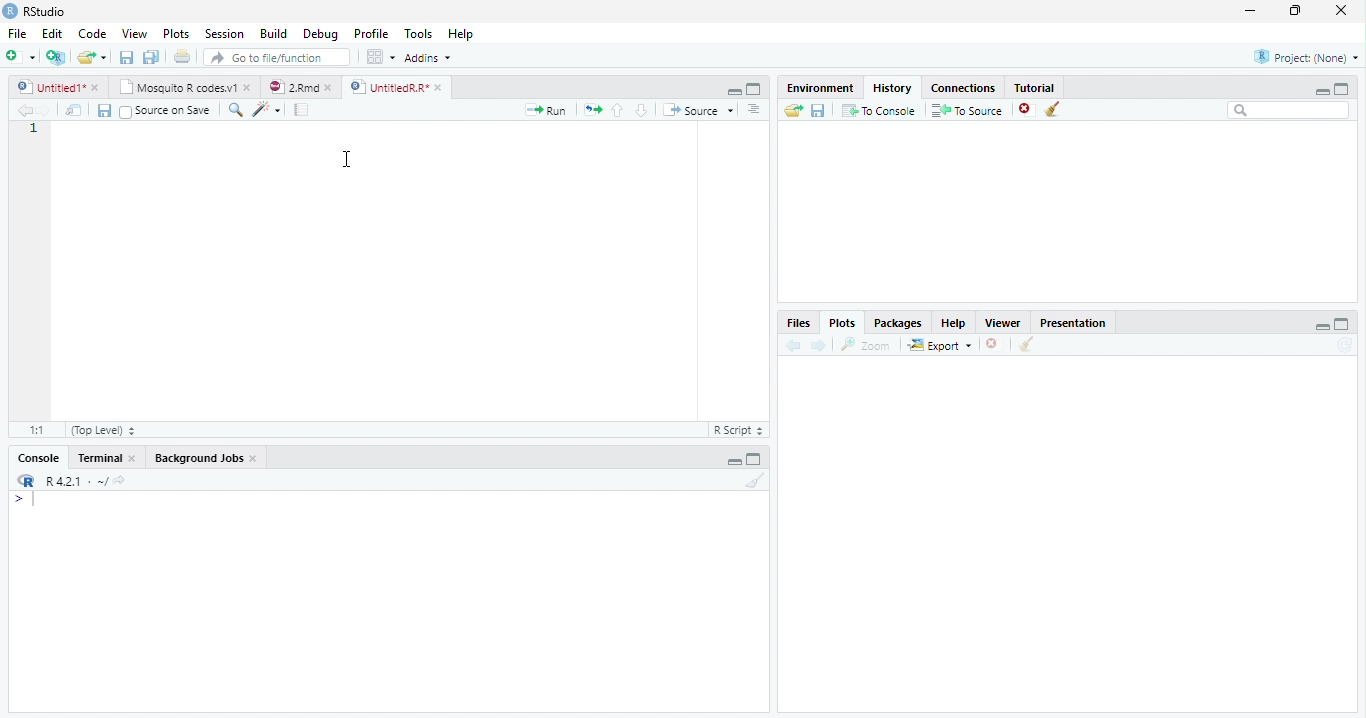 The height and width of the screenshot is (718, 1366). I want to click on Code Tools, so click(263, 109).